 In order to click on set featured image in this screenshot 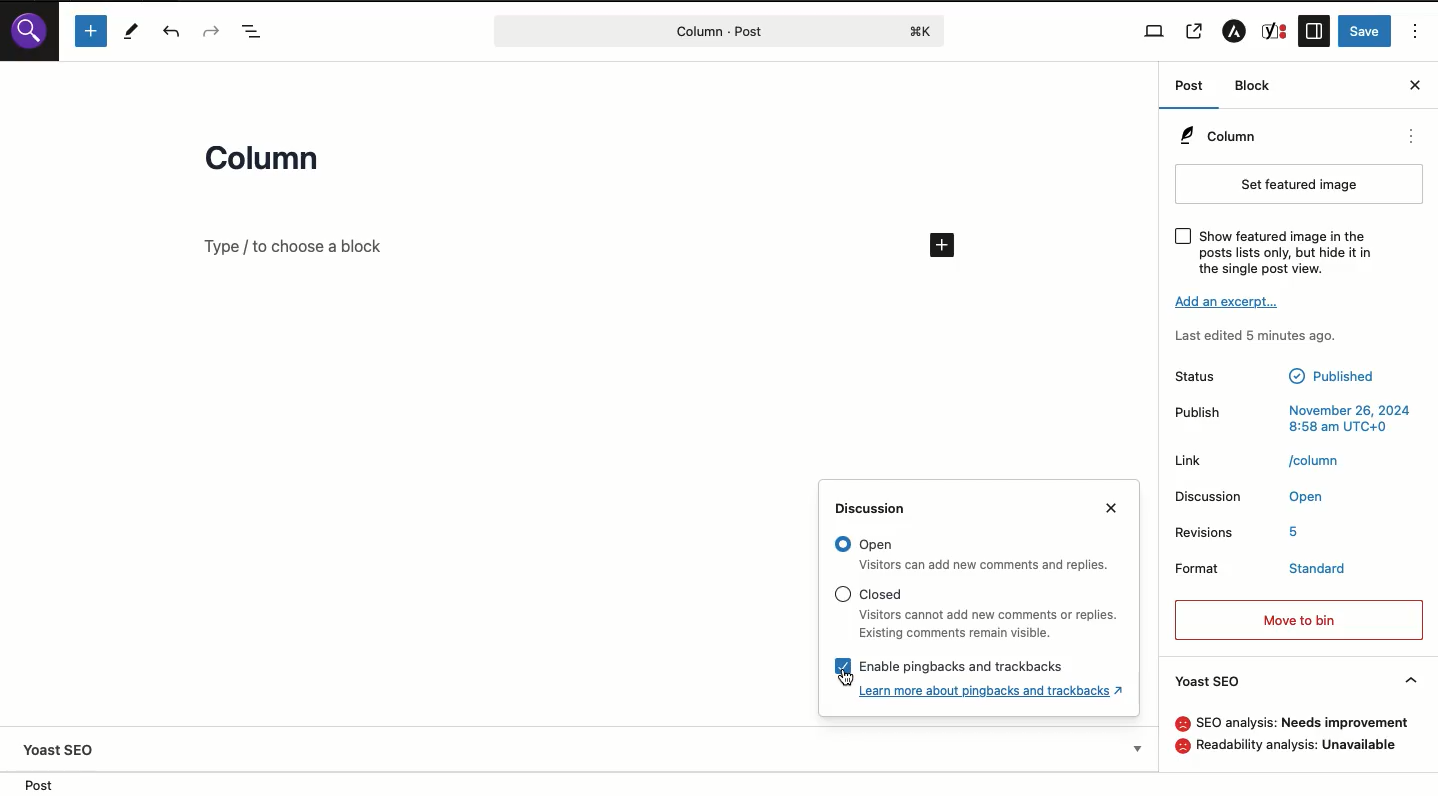, I will do `click(1300, 185)`.